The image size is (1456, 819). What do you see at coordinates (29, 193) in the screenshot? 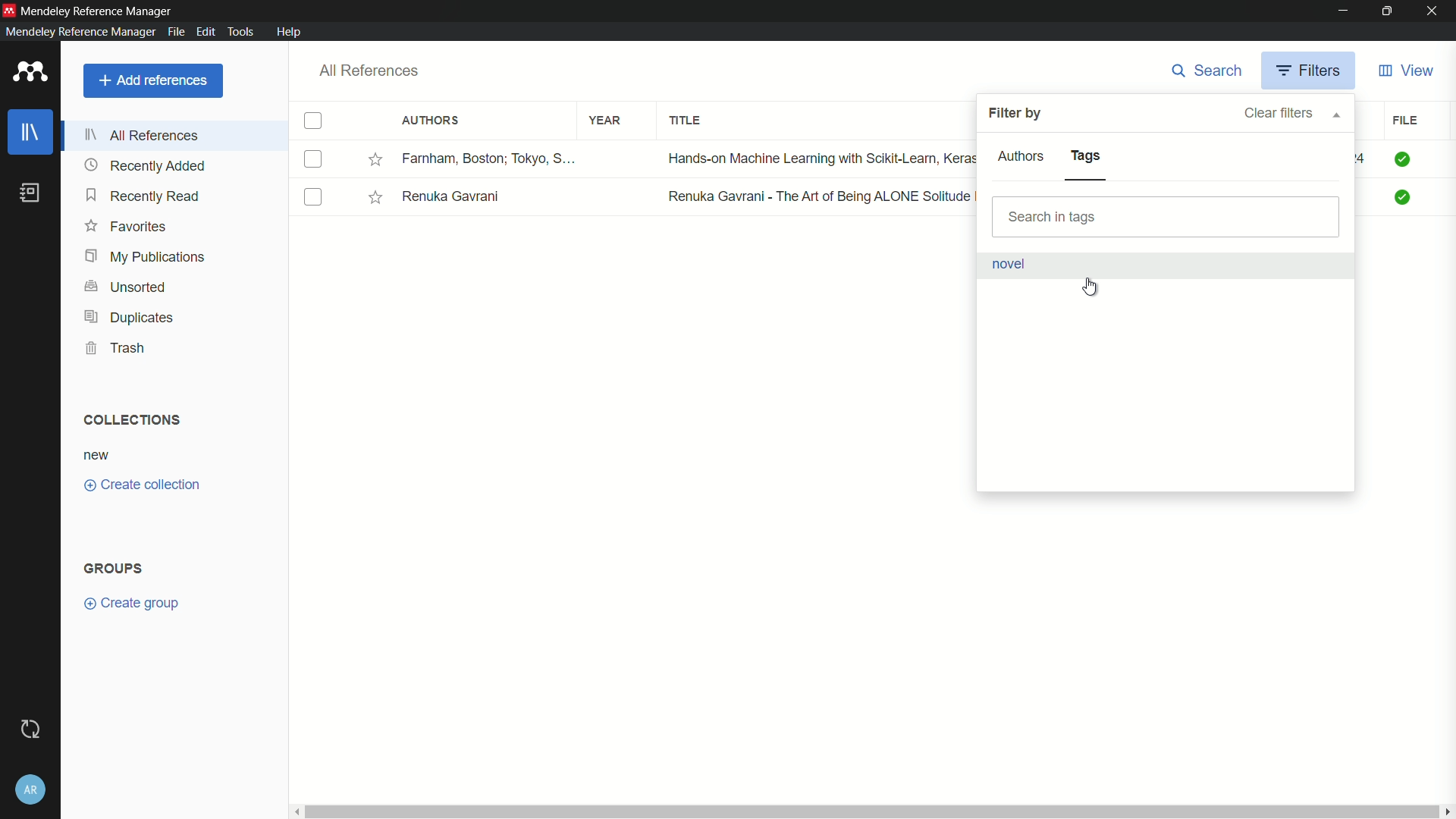
I see `book` at bounding box center [29, 193].